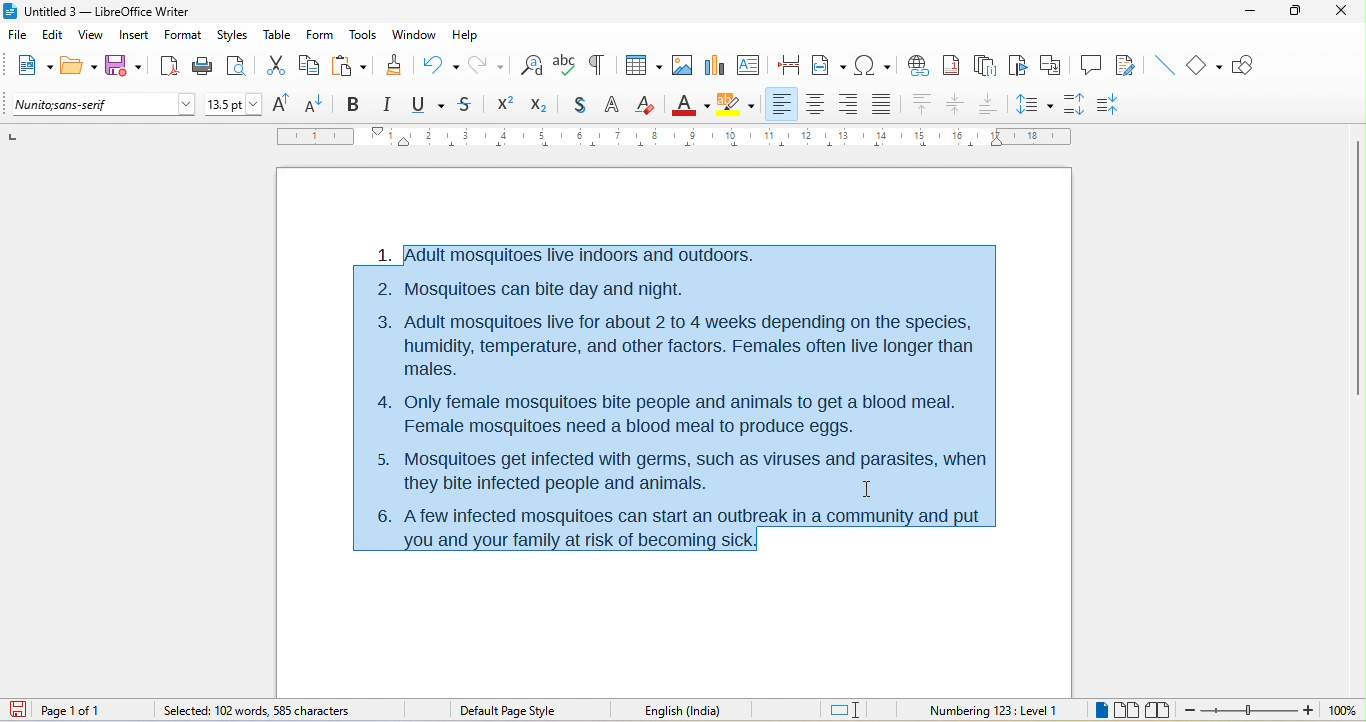 The width and height of the screenshot is (1366, 722). What do you see at coordinates (1298, 15) in the screenshot?
I see `maximize` at bounding box center [1298, 15].